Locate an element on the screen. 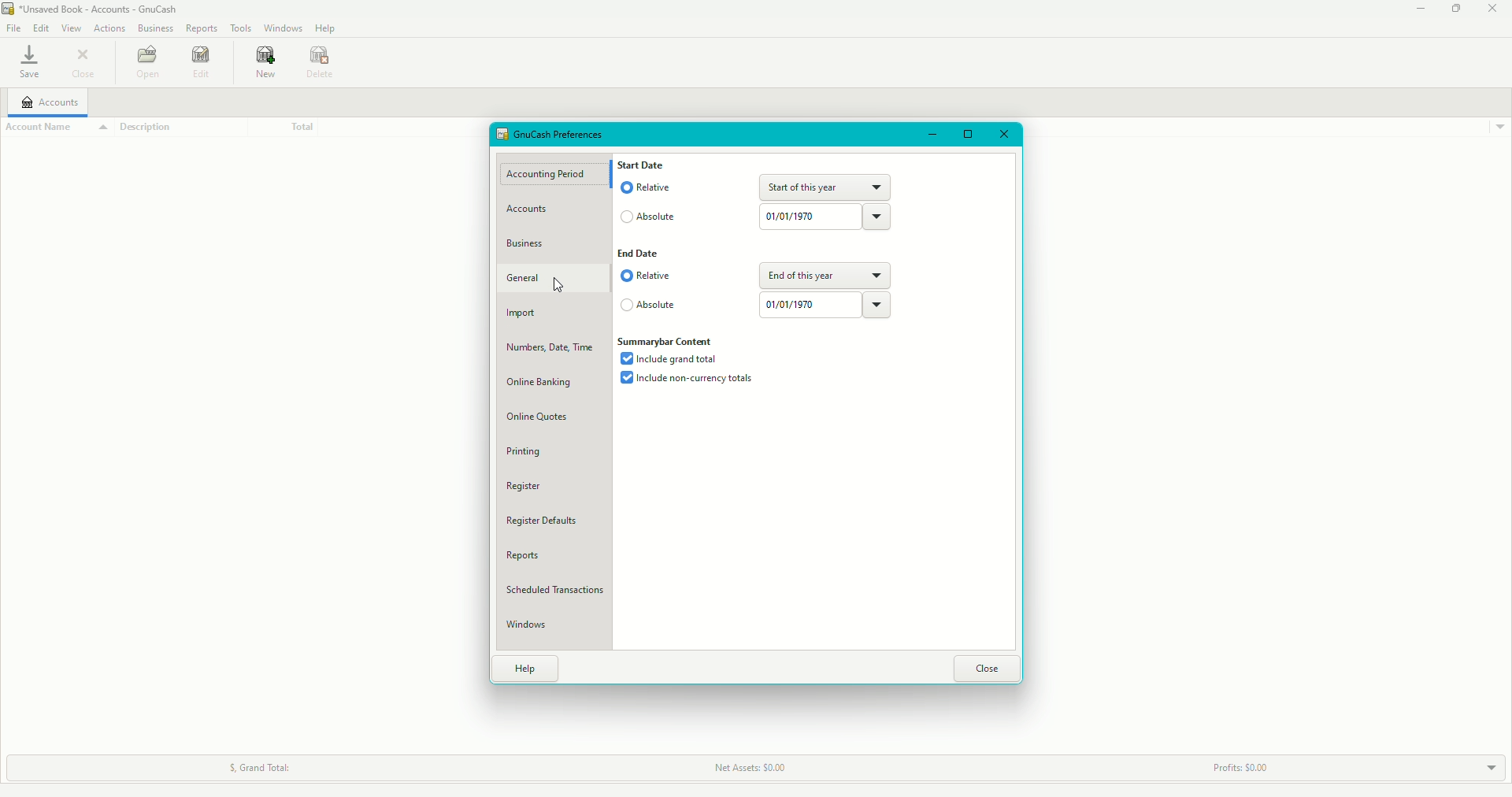 Image resolution: width=1512 pixels, height=797 pixels. new is located at coordinates (261, 65).